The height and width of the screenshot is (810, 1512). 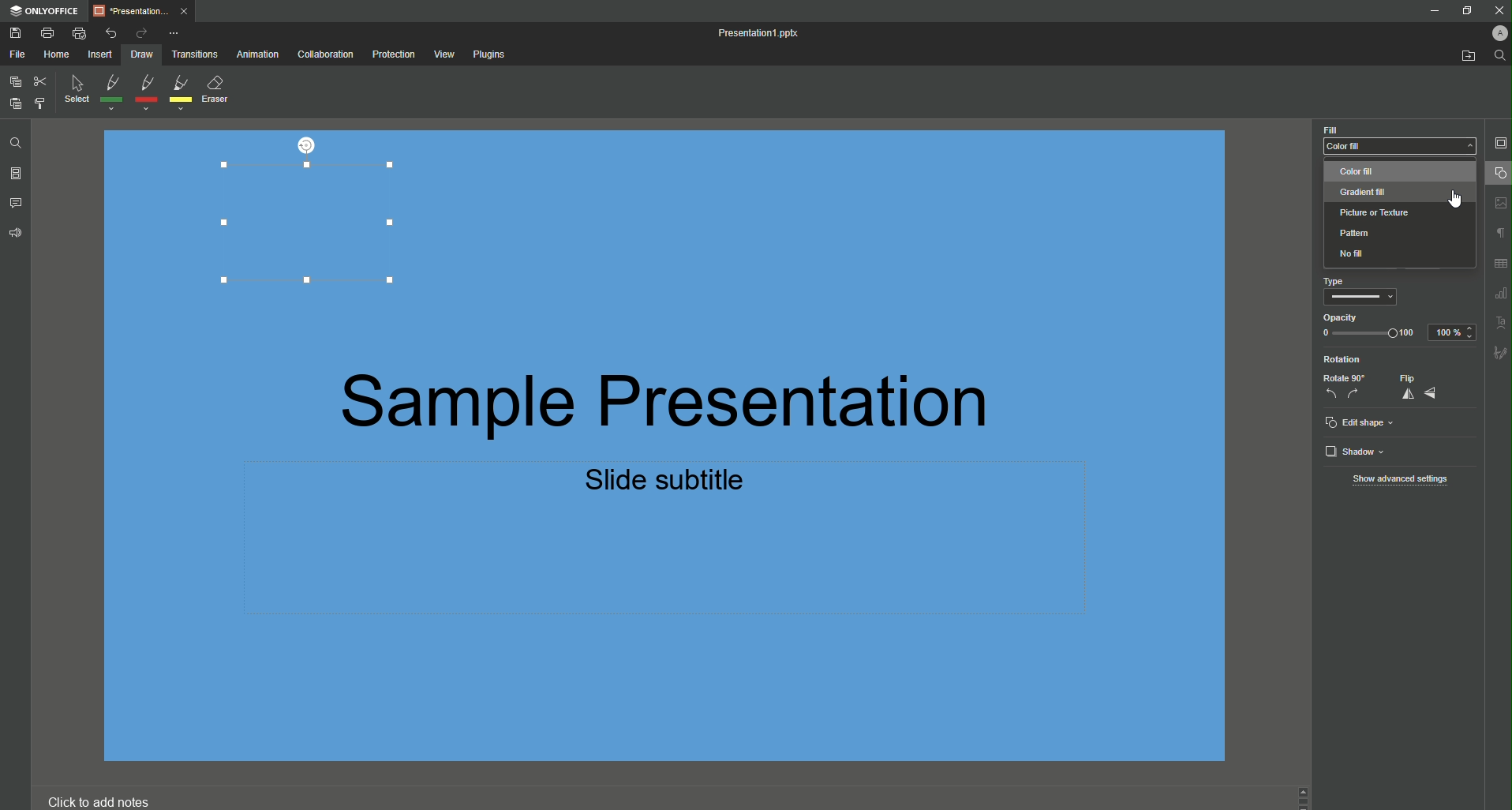 I want to click on Transitions, so click(x=197, y=55).